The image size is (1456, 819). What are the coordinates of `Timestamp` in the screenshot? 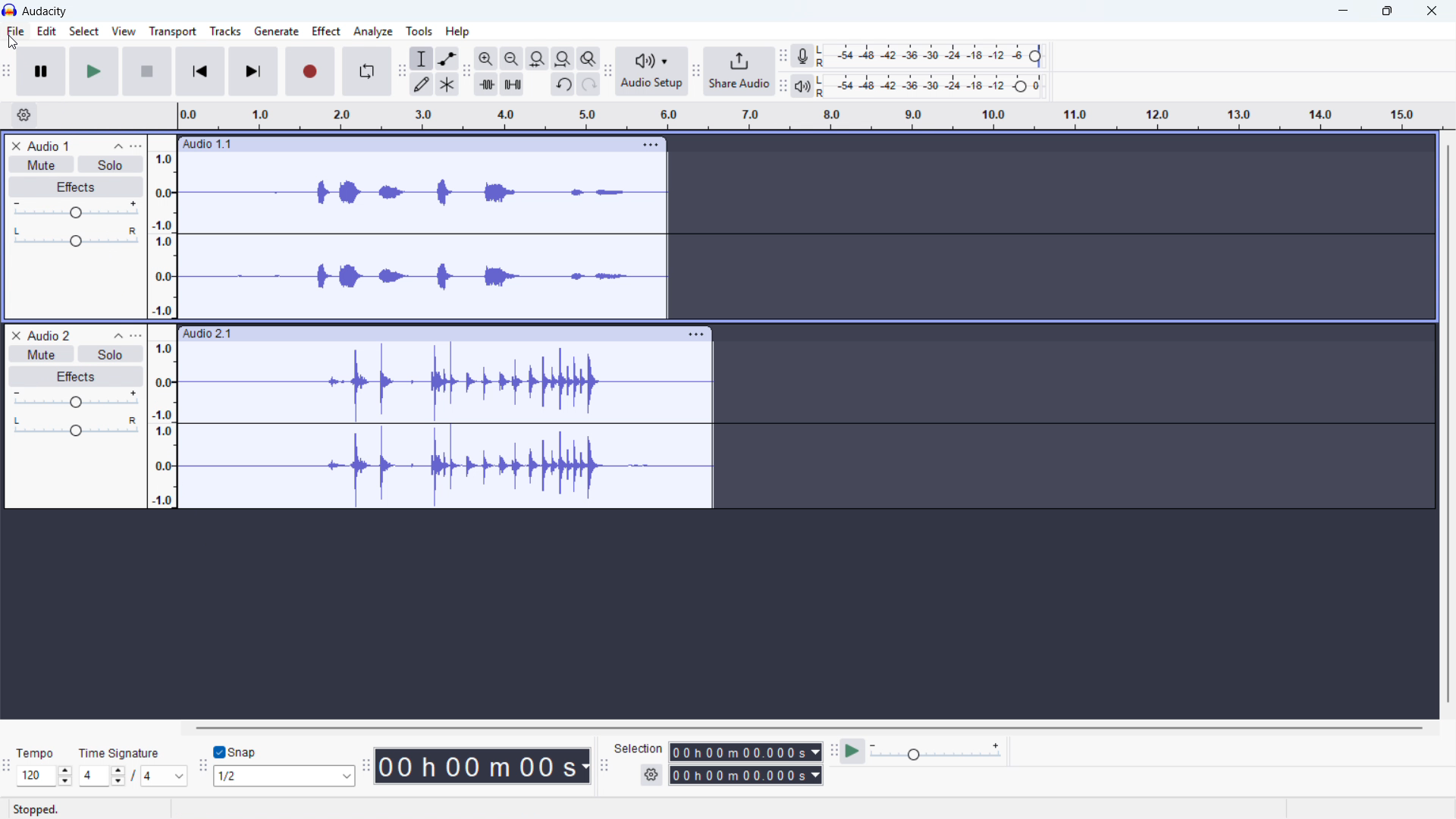 It's located at (485, 766).